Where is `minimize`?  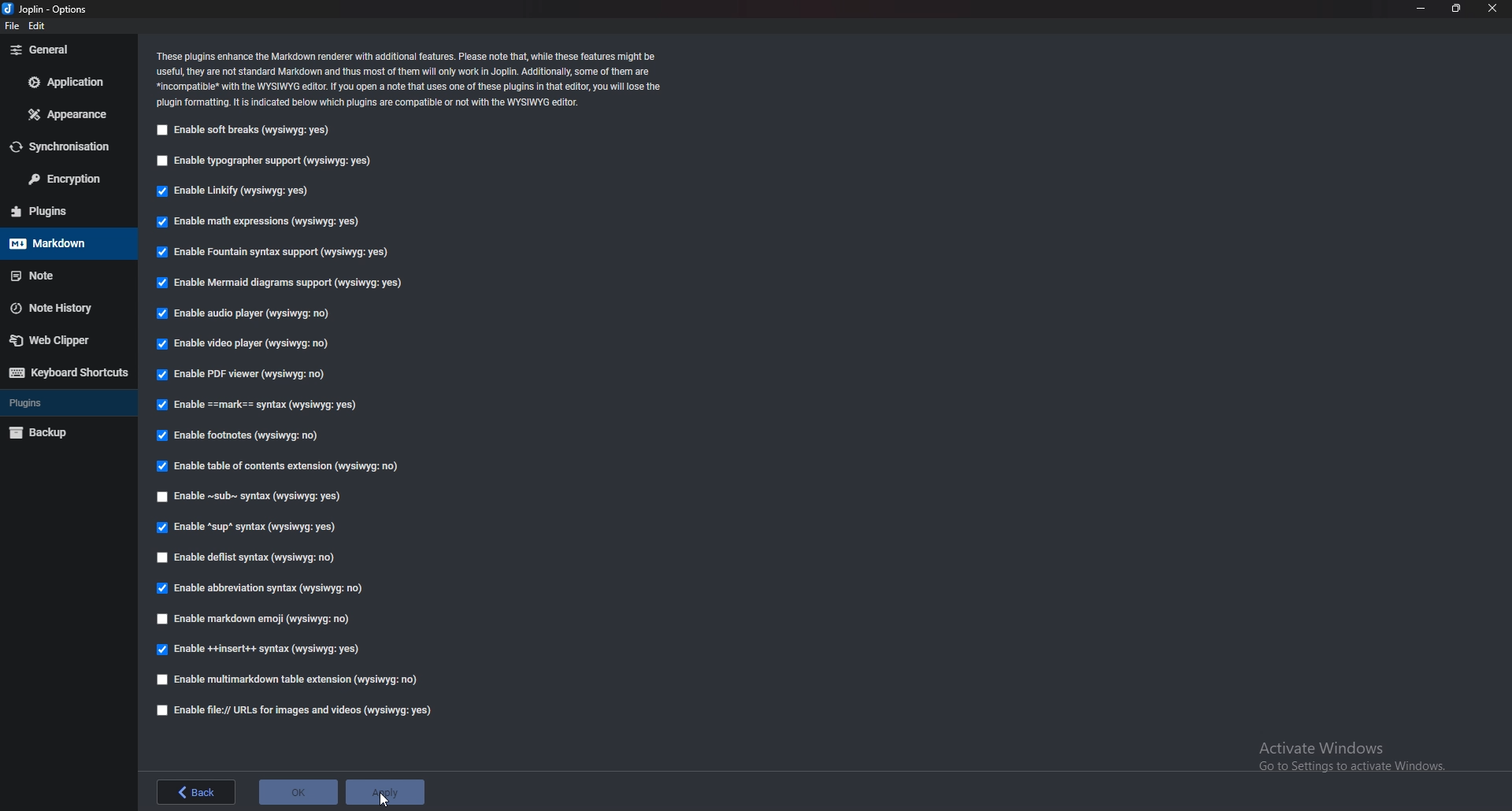
minimize is located at coordinates (1422, 8).